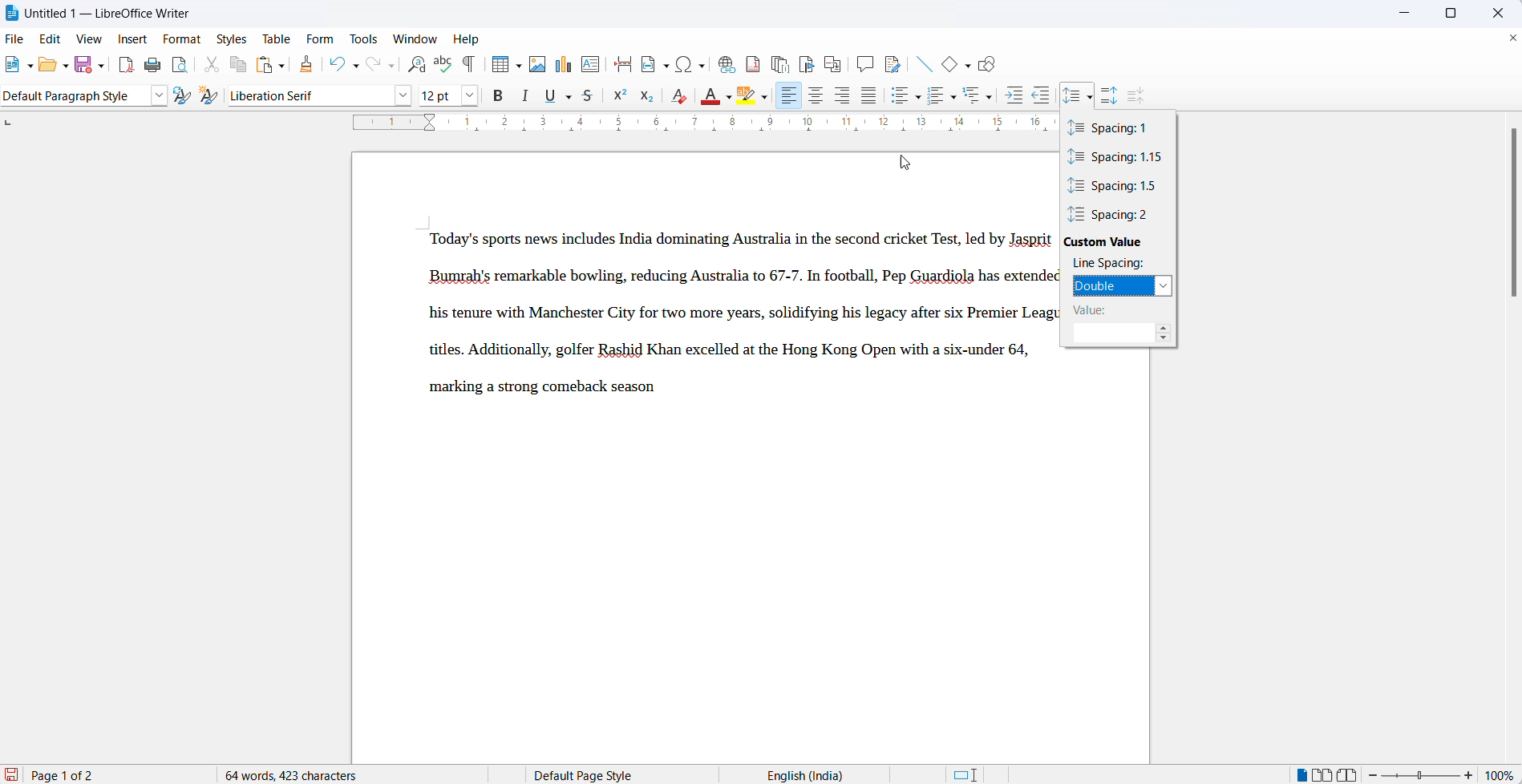  Describe the element at coordinates (832, 62) in the screenshot. I see `insert cross-reference` at that location.